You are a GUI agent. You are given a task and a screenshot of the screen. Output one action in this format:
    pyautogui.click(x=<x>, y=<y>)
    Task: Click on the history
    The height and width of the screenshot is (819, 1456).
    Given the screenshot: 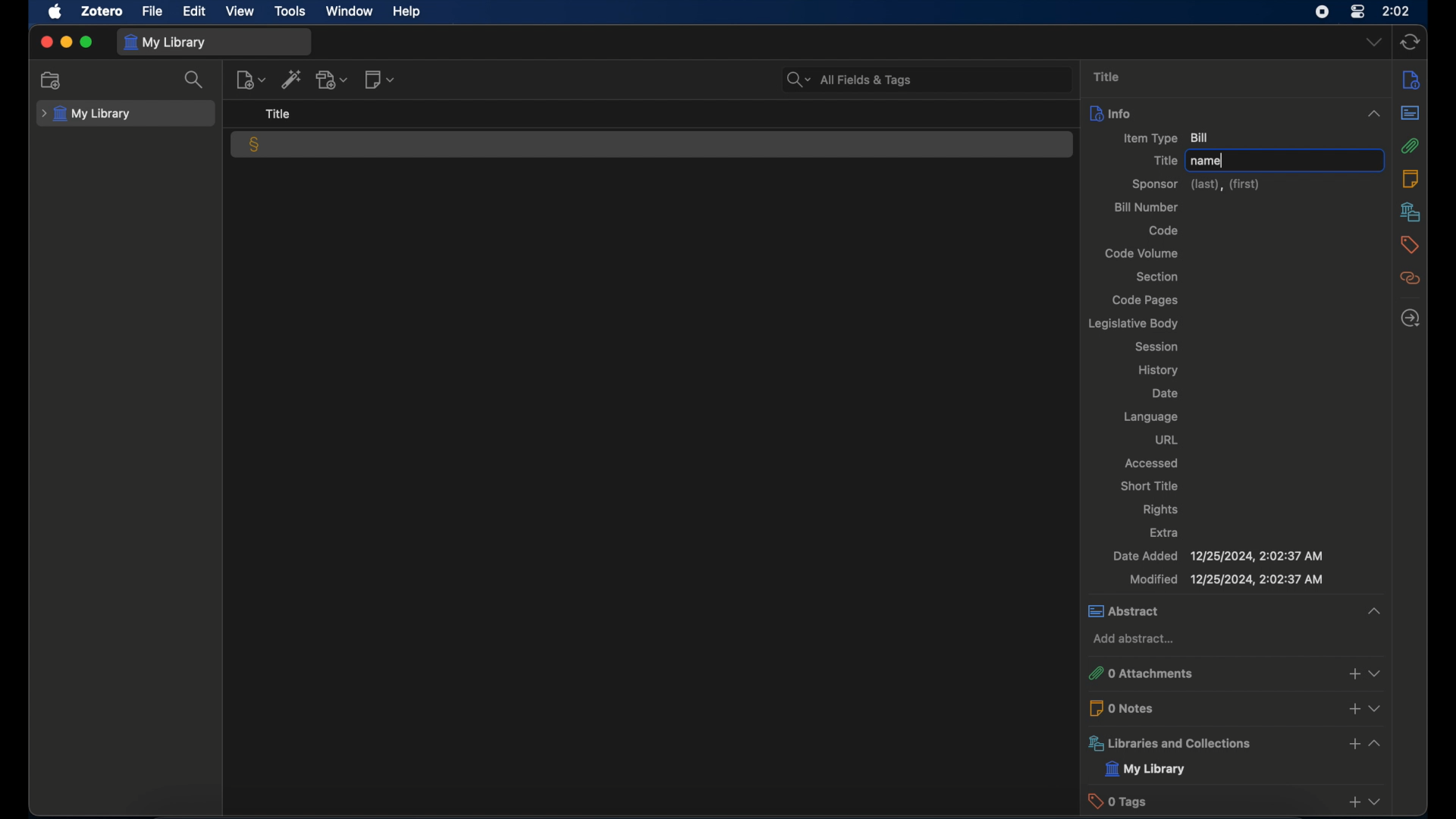 What is the action you would take?
    pyautogui.click(x=1159, y=369)
    